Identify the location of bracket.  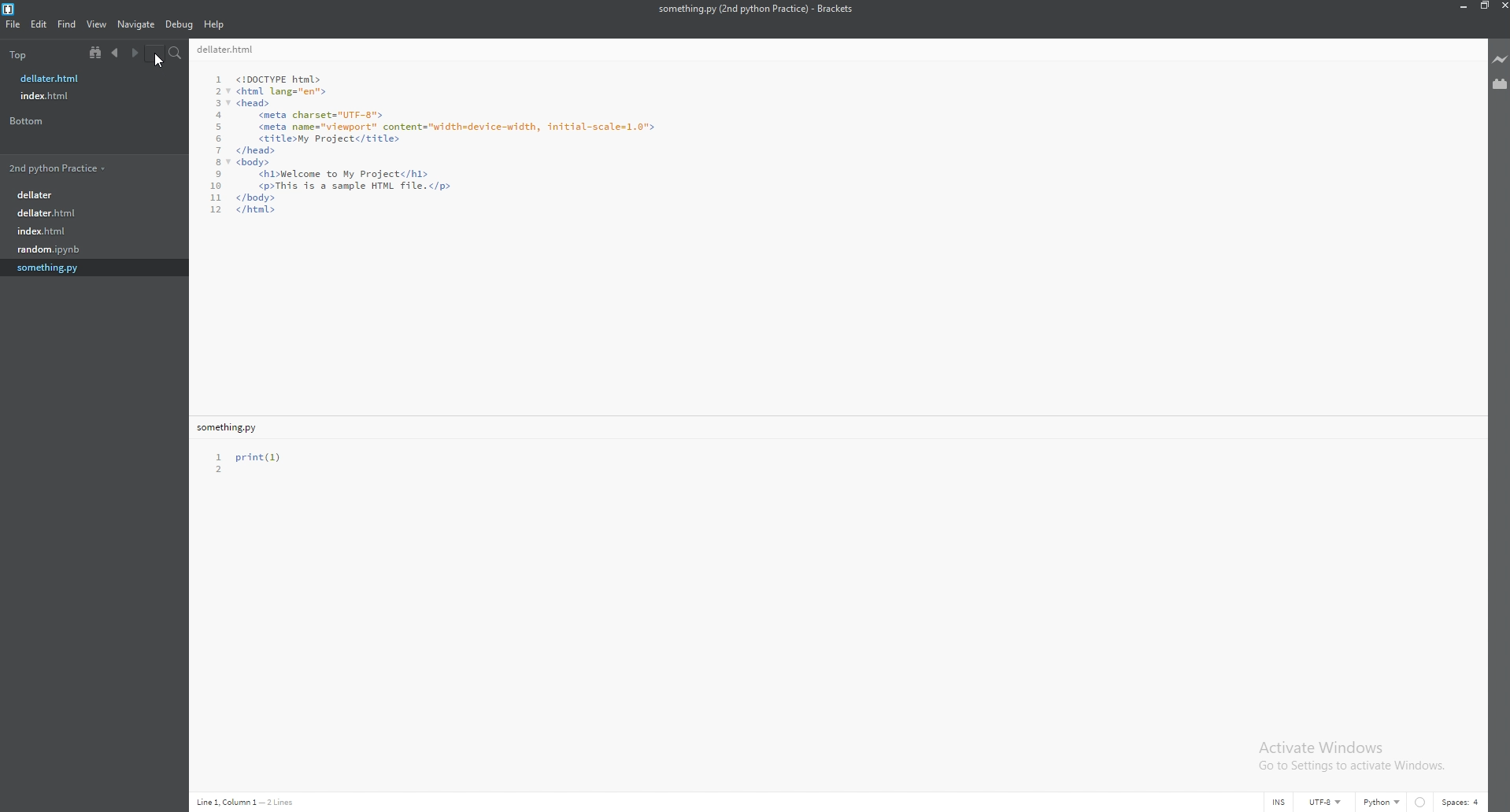
(13, 8).